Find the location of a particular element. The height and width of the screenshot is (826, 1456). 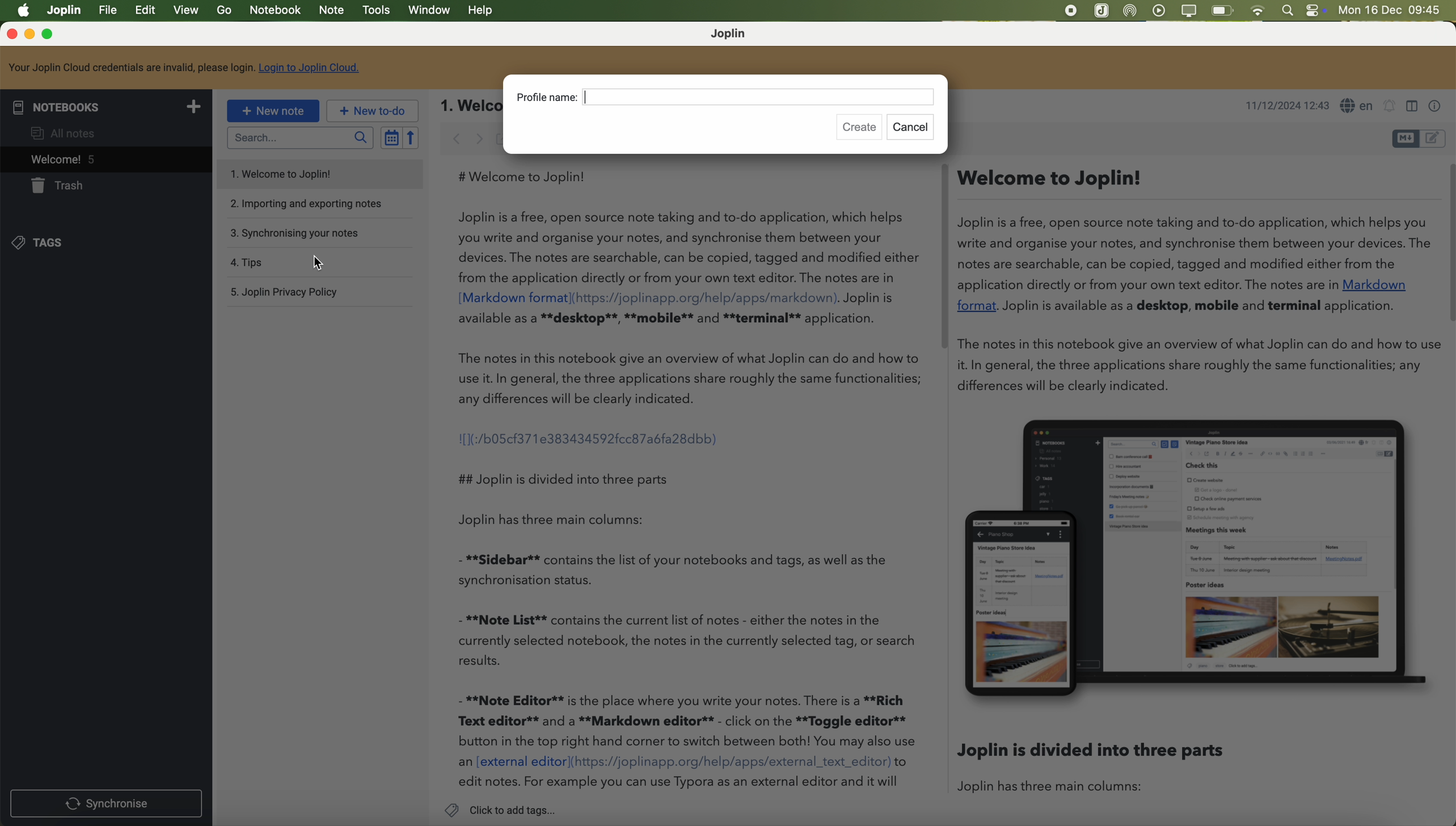

click to add tags is located at coordinates (500, 810).